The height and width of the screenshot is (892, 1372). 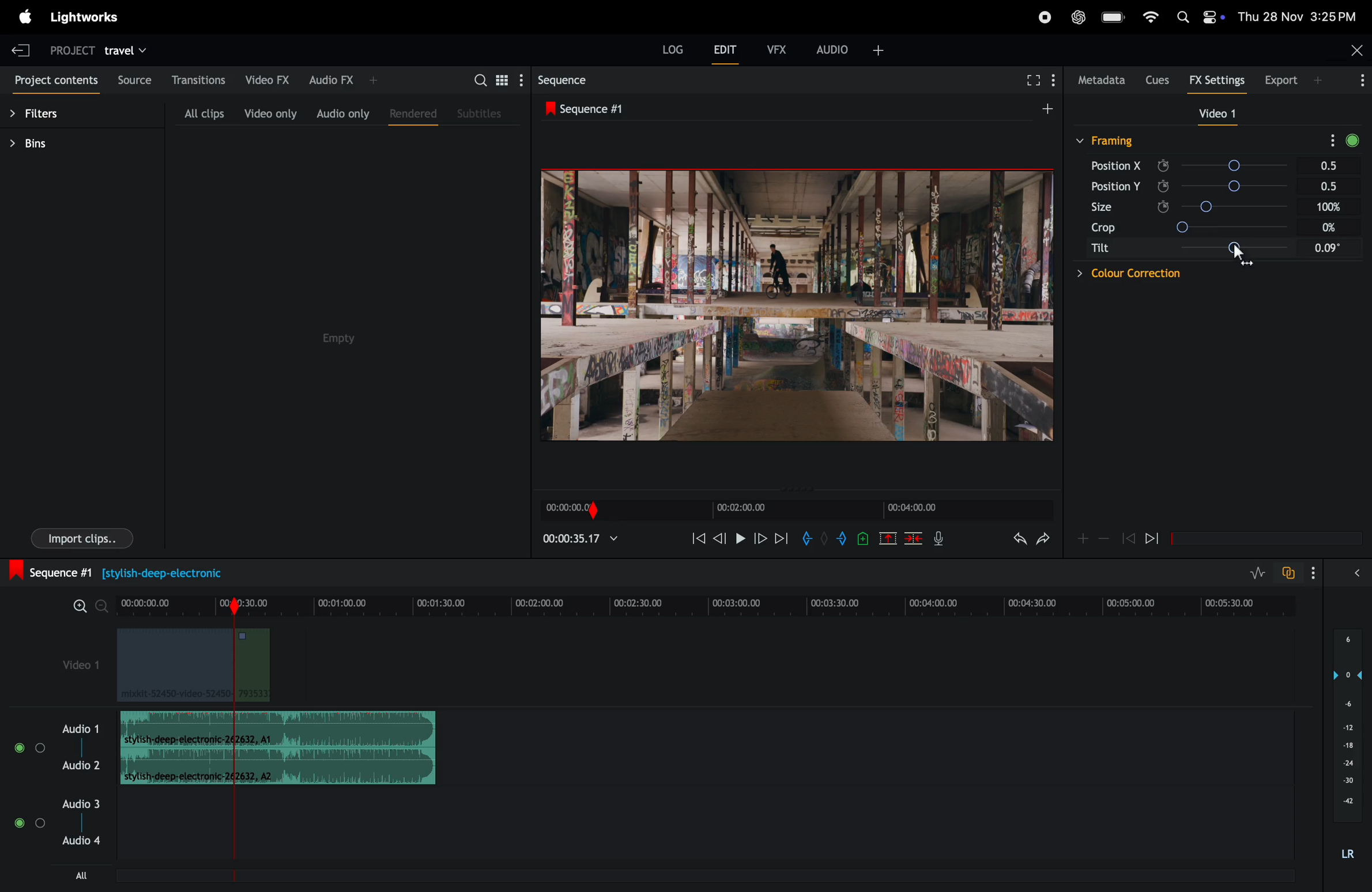 I want to click on zoom in zoom out, so click(x=89, y=607).